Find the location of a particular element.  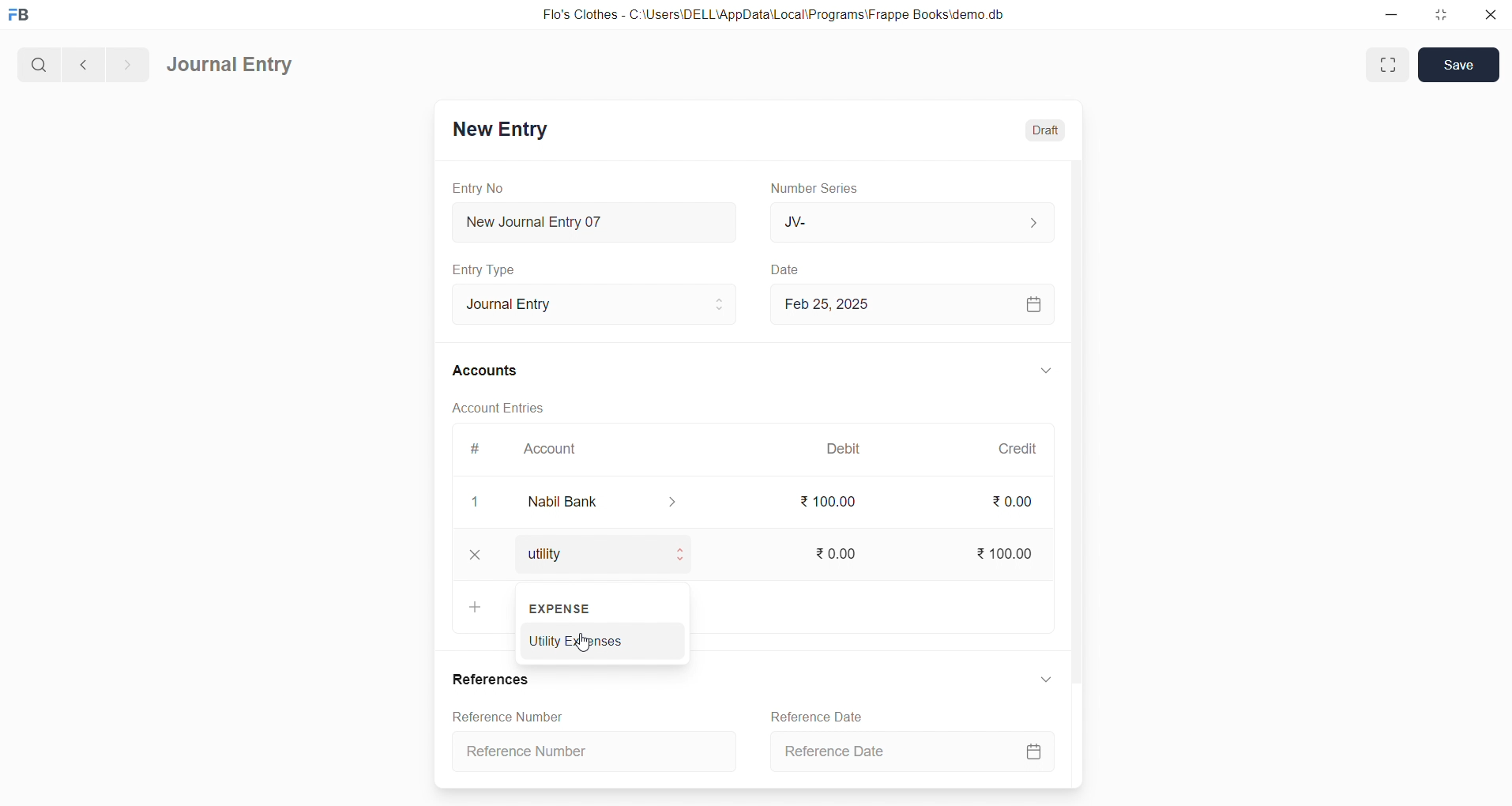

New Entry is located at coordinates (499, 129).